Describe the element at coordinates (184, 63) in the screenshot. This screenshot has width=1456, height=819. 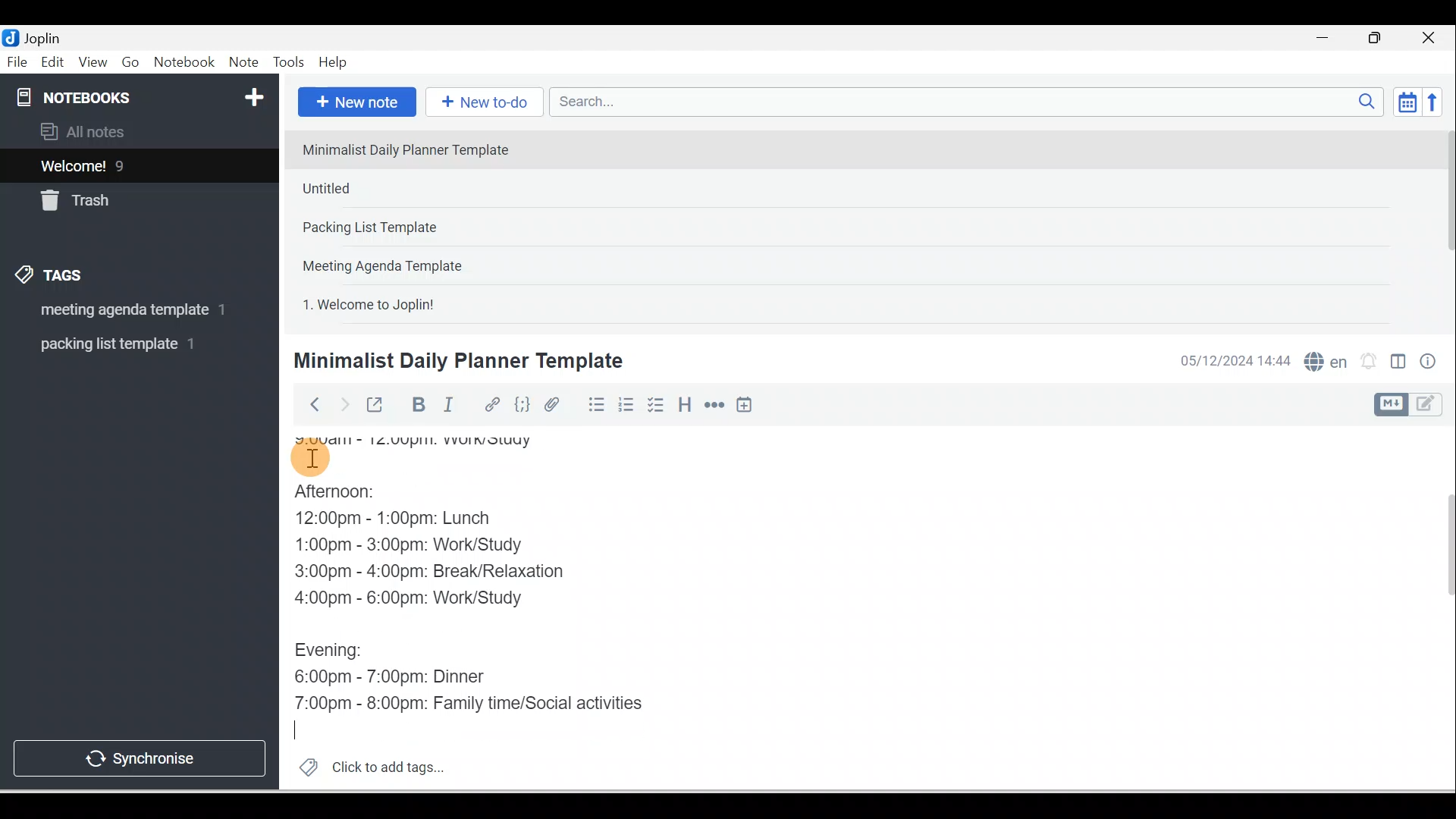
I see `Notebook` at that location.